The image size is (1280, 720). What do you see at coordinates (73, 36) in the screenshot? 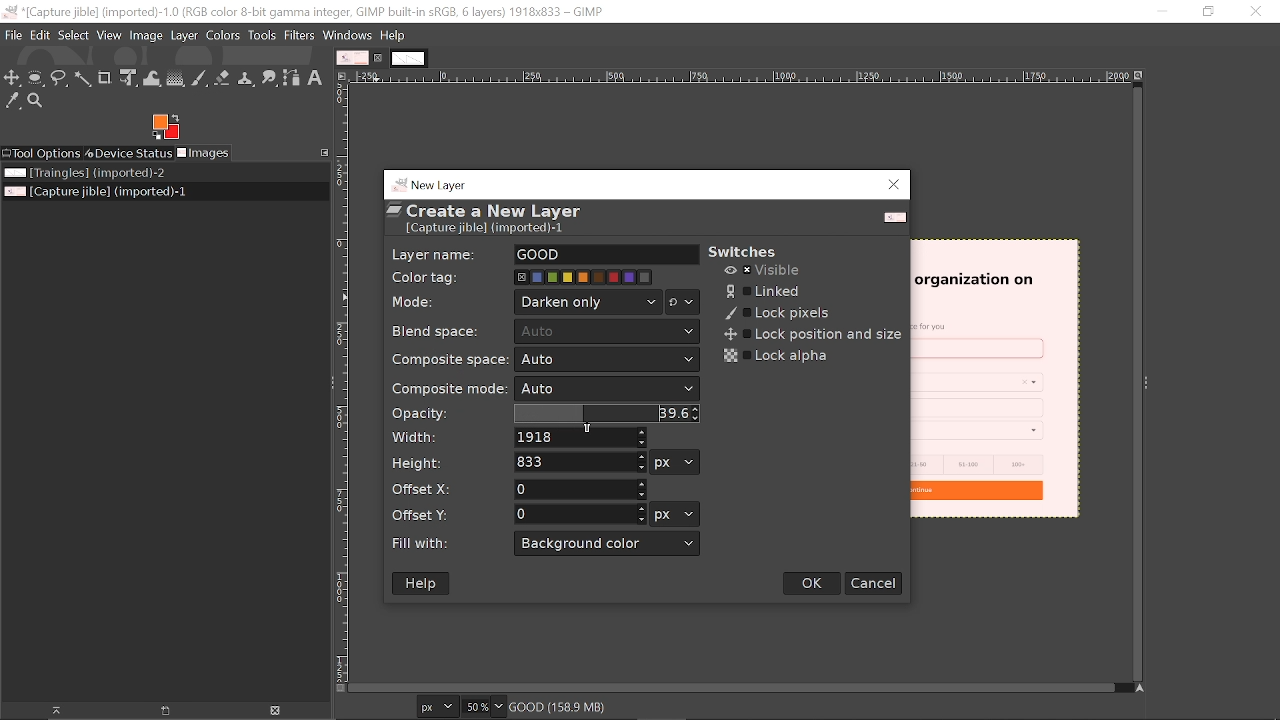
I see `Select` at bounding box center [73, 36].